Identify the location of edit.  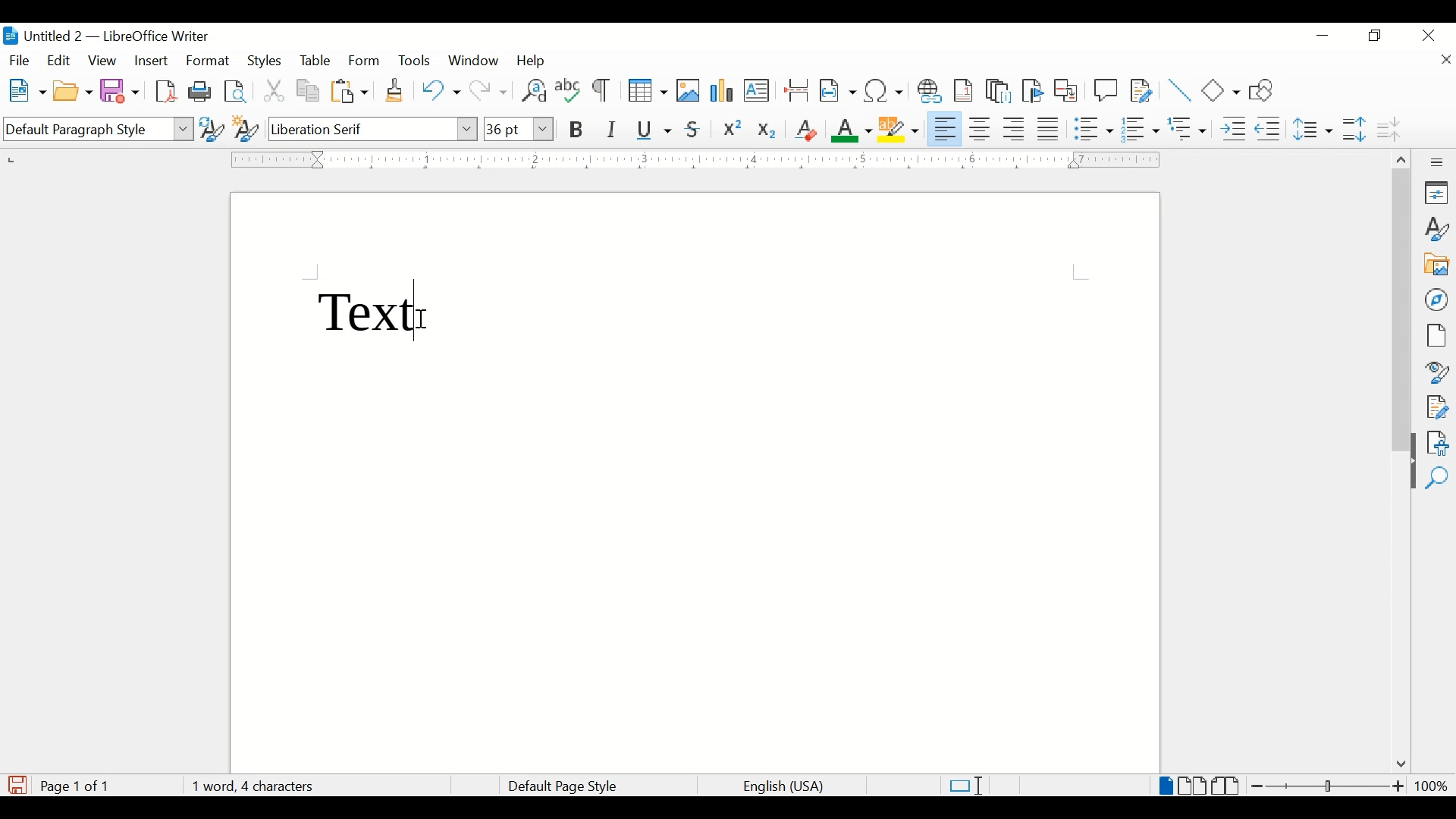
(60, 60).